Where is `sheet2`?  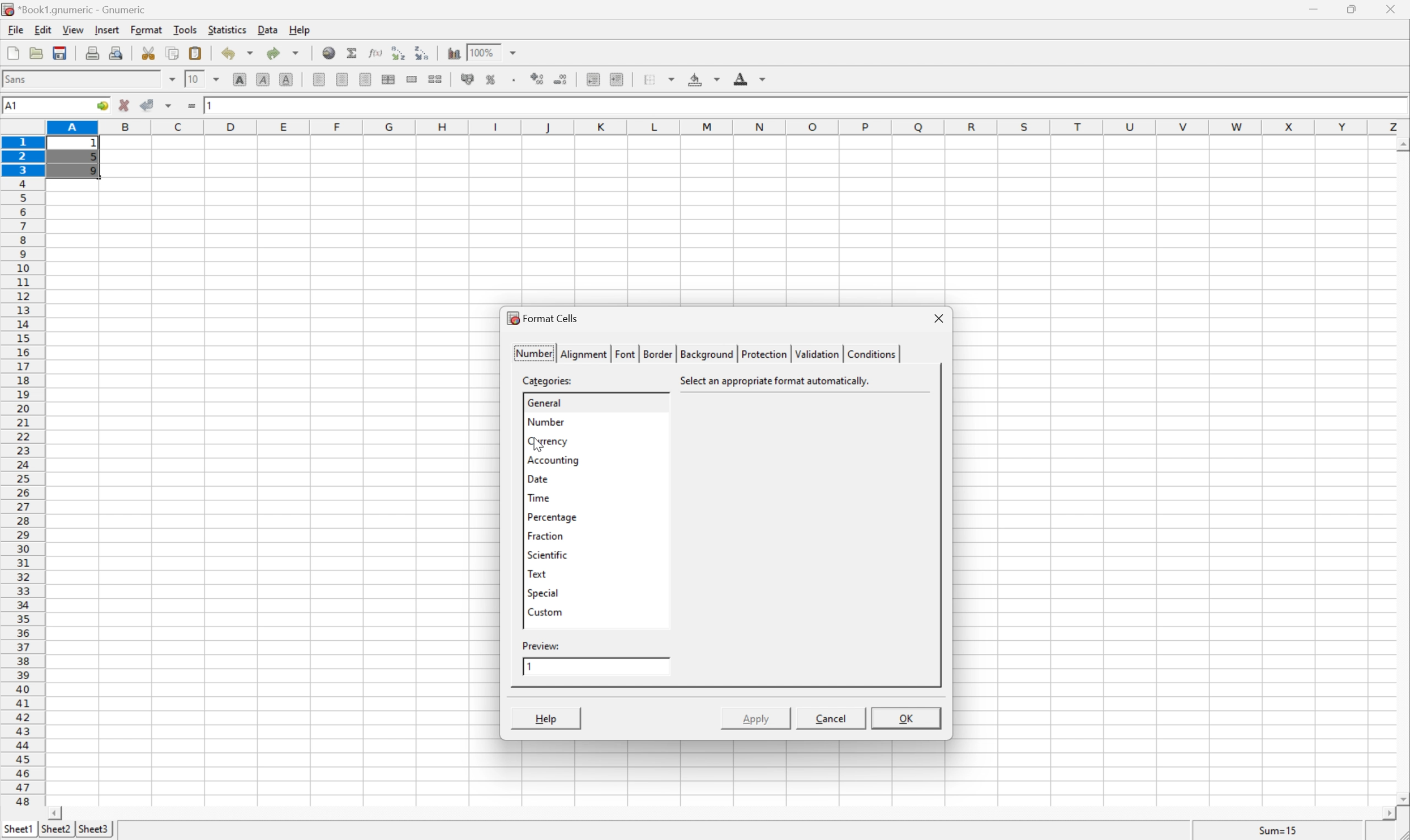 sheet2 is located at coordinates (55, 832).